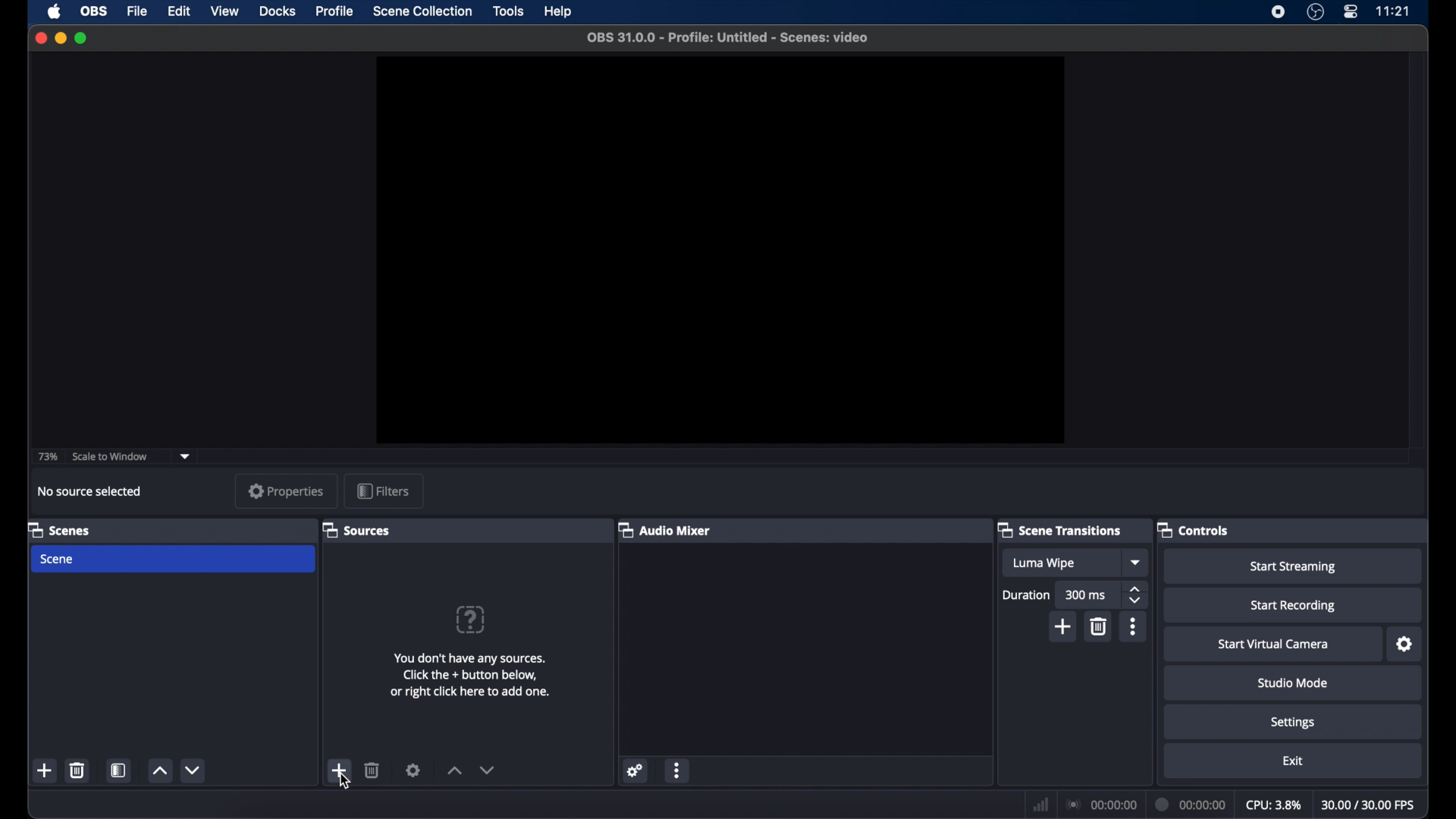 Image resolution: width=1456 pixels, height=819 pixels. I want to click on delete, so click(78, 770).